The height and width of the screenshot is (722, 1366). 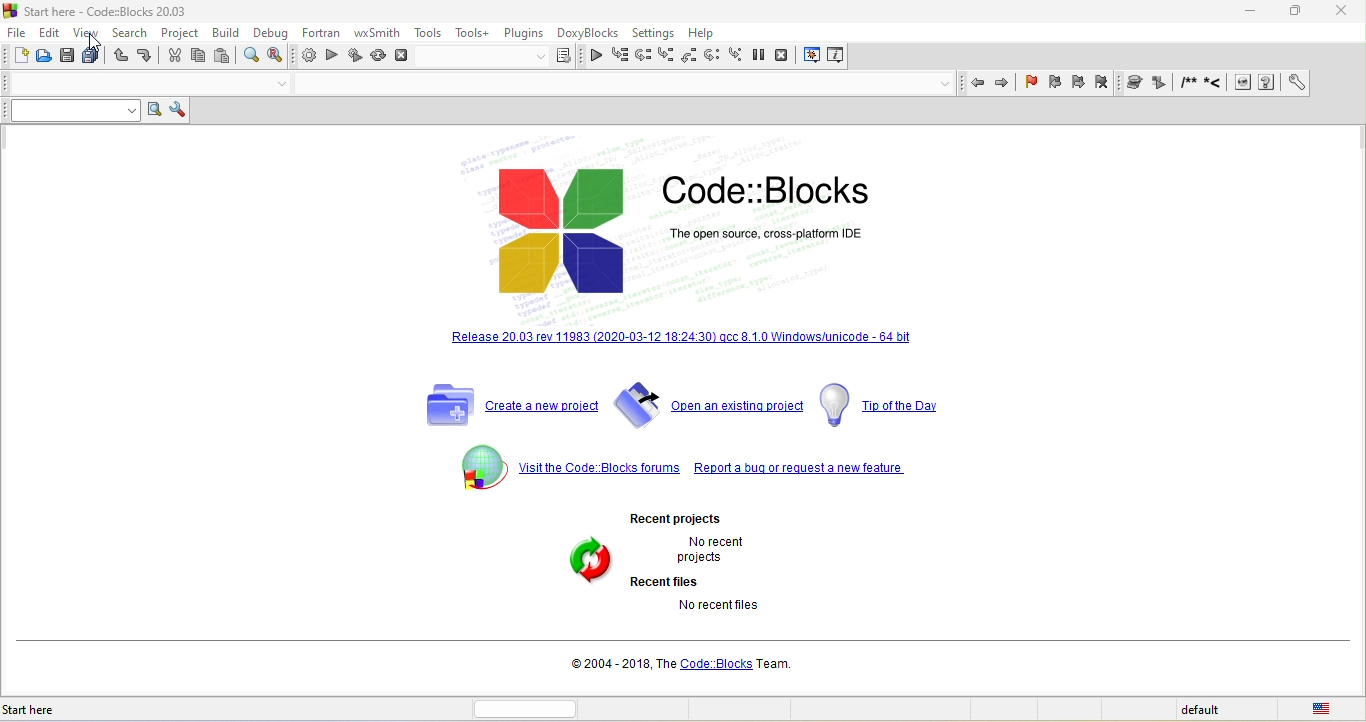 What do you see at coordinates (1136, 81) in the screenshot?
I see `doxywizard` at bounding box center [1136, 81].